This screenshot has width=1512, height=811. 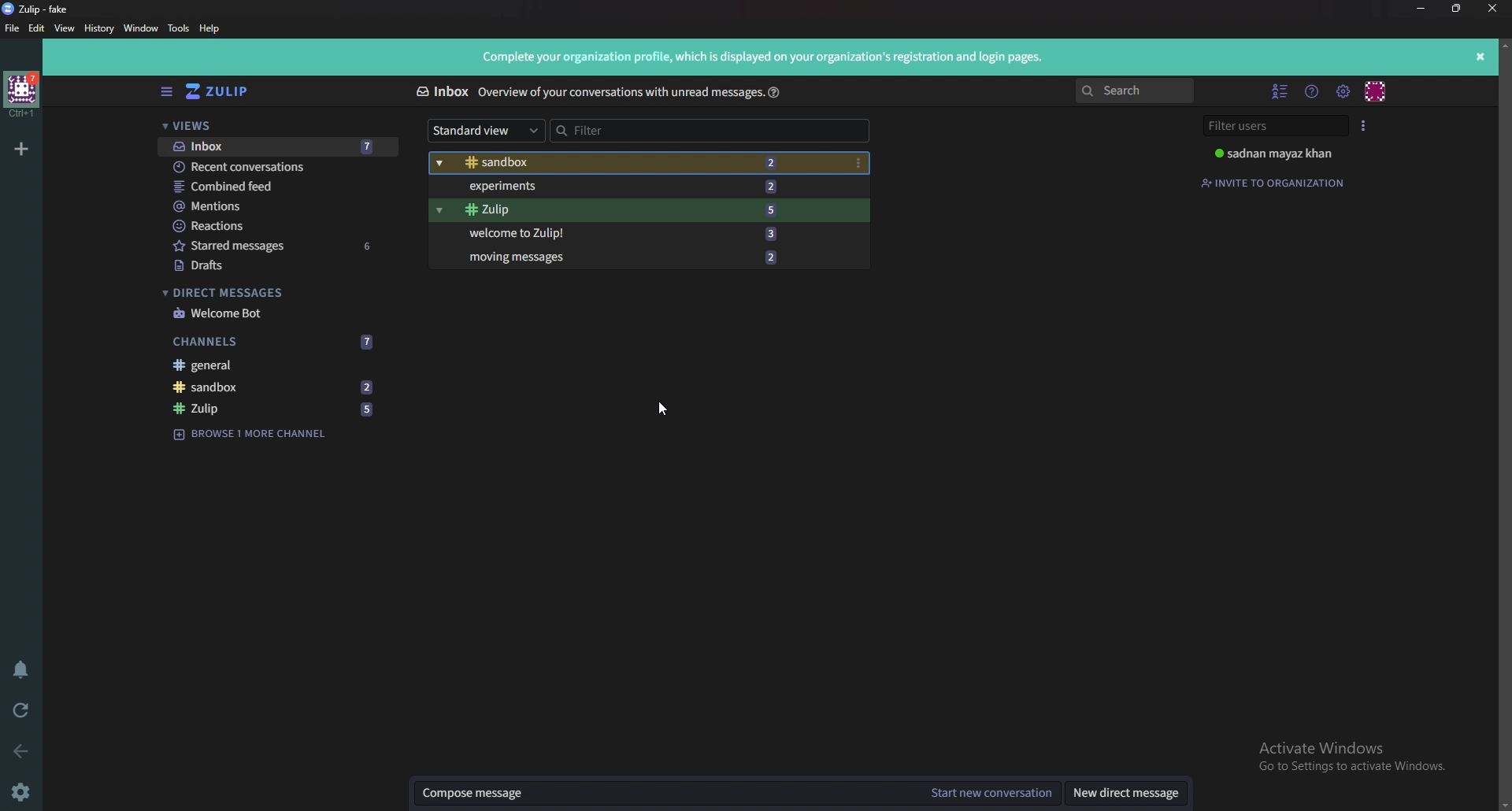 What do you see at coordinates (1311, 91) in the screenshot?
I see `Help menu` at bounding box center [1311, 91].